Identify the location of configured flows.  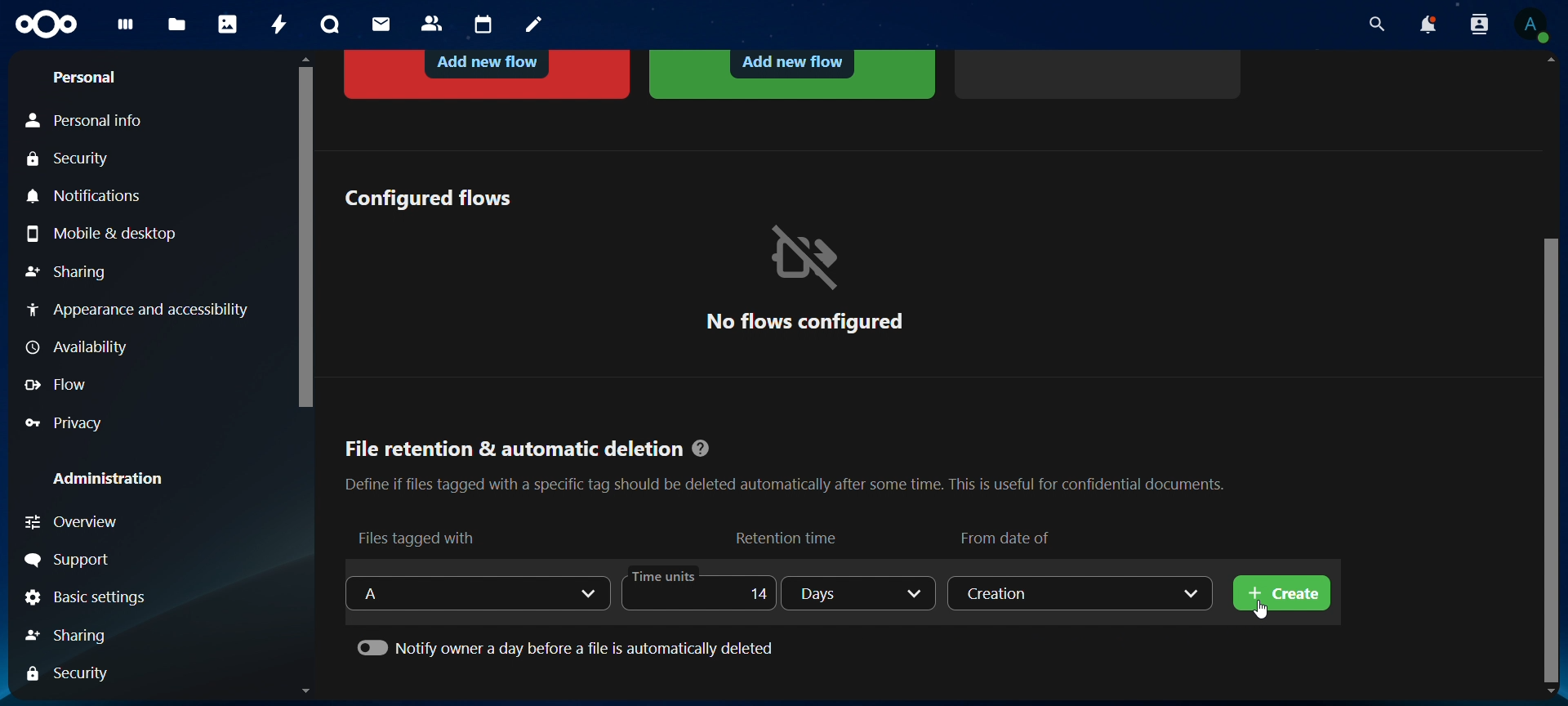
(427, 197).